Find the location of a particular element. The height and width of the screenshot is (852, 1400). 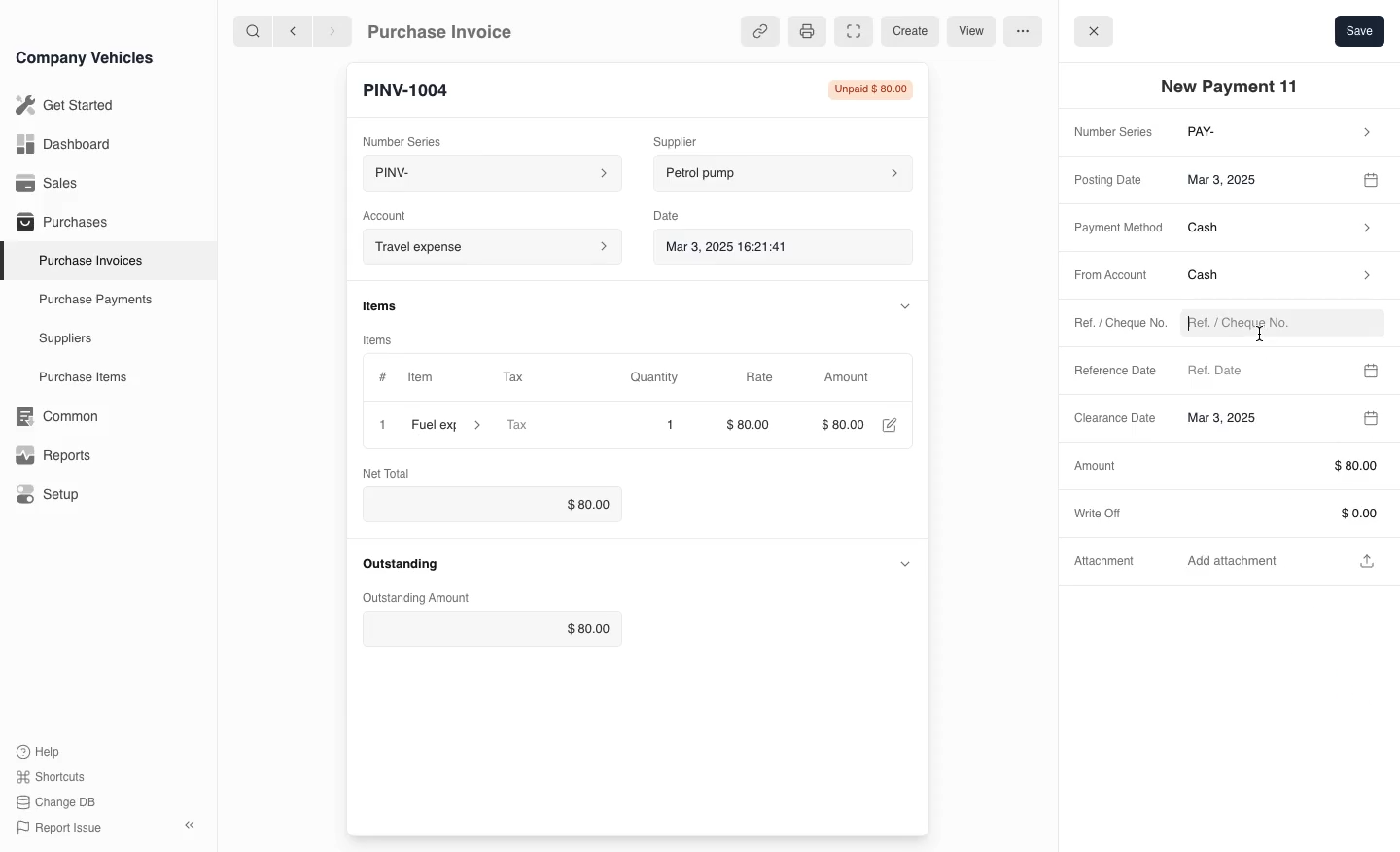

$0.00 is located at coordinates (486, 504).